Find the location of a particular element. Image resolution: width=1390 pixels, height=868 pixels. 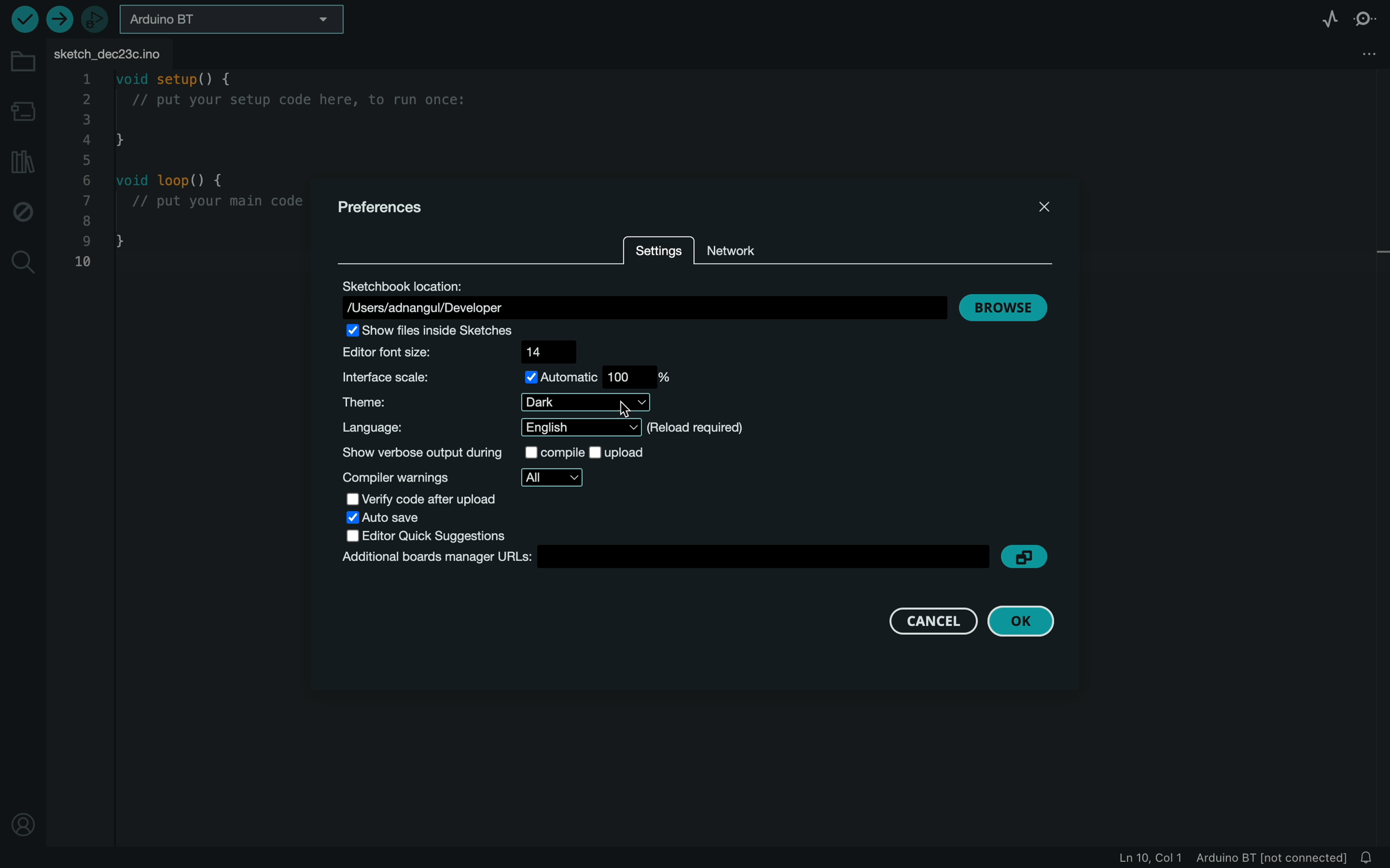

location is located at coordinates (640, 296).